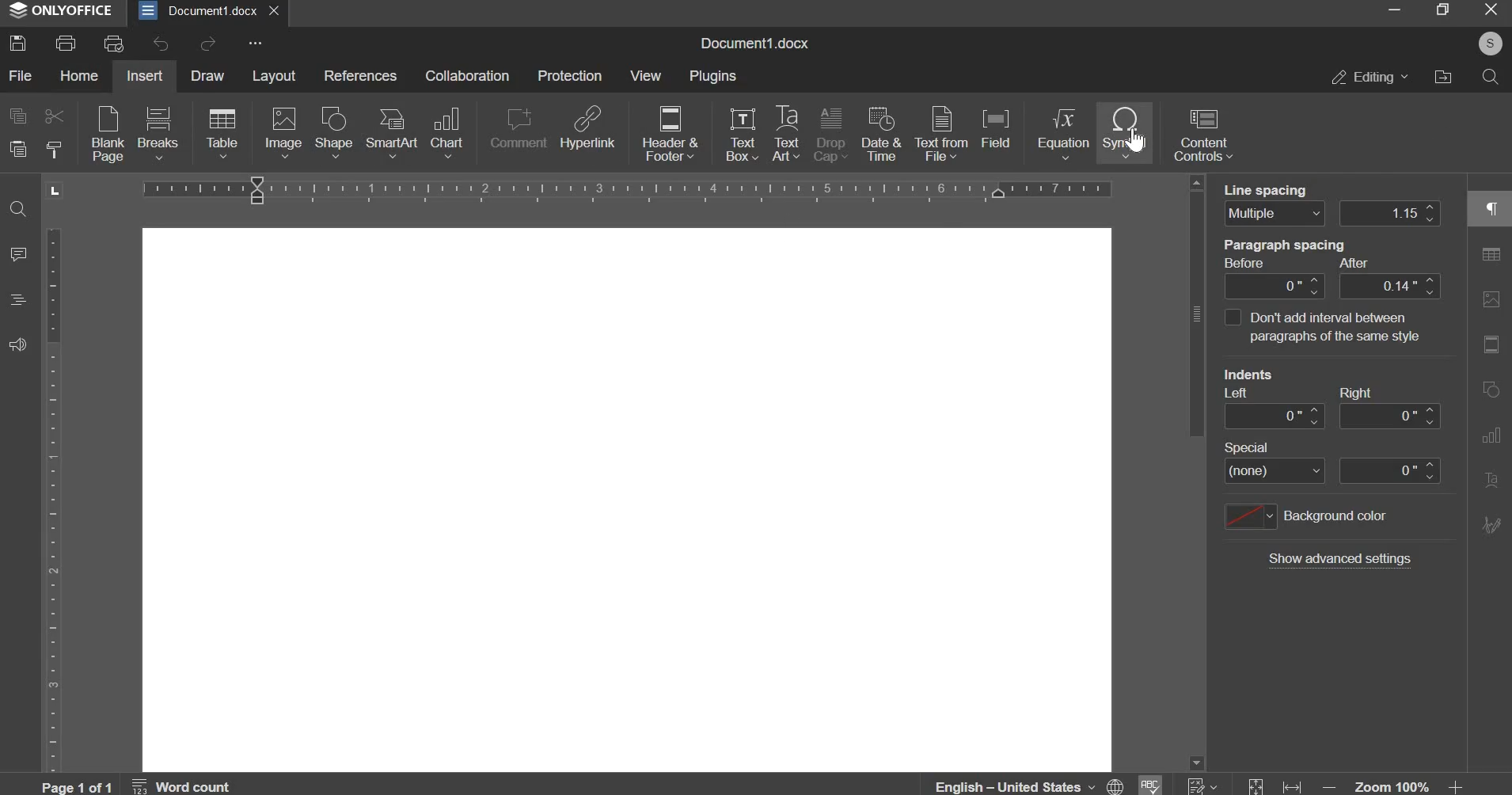 The image size is (1512, 795). What do you see at coordinates (394, 132) in the screenshot?
I see `smartart` at bounding box center [394, 132].